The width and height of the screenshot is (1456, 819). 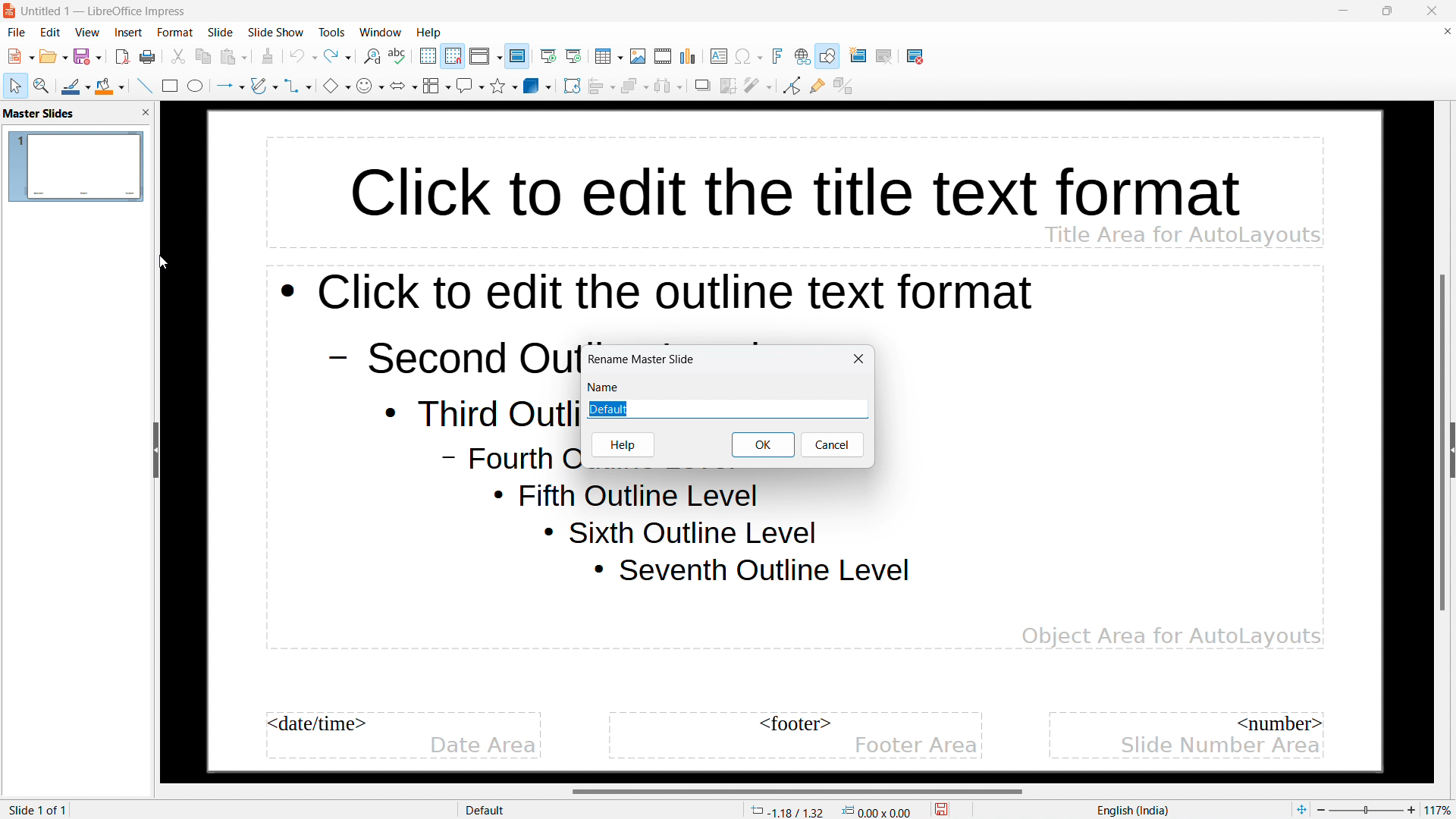 What do you see at coordinates (230, 86) in the screenshot?
I see `lines and arrows` at bounding box center [230, 86].